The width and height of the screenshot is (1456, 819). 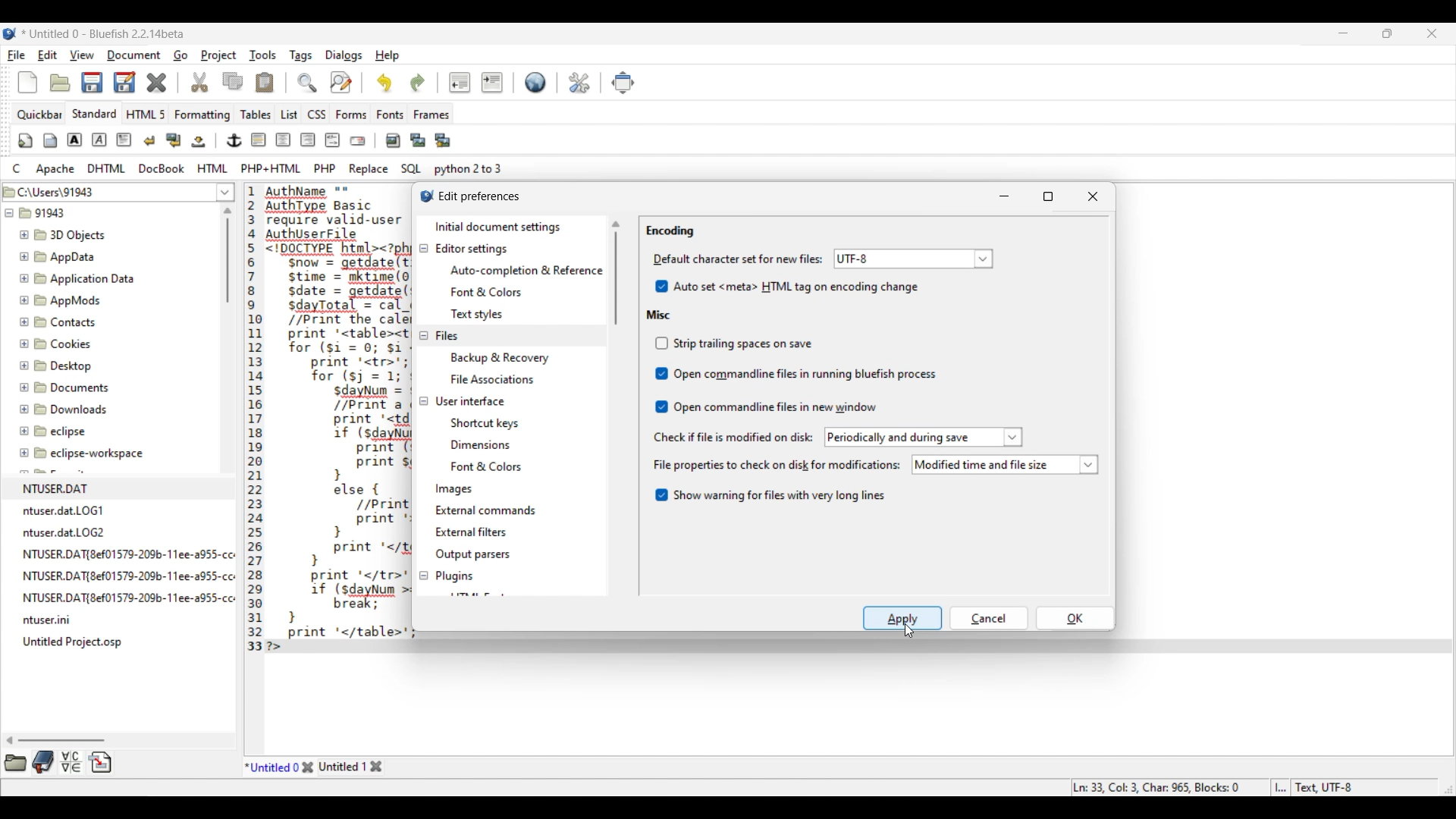 What do you see at coordinates (905, 631) in the screenshot?
I see `cursor` at bounding box center [905, 631].